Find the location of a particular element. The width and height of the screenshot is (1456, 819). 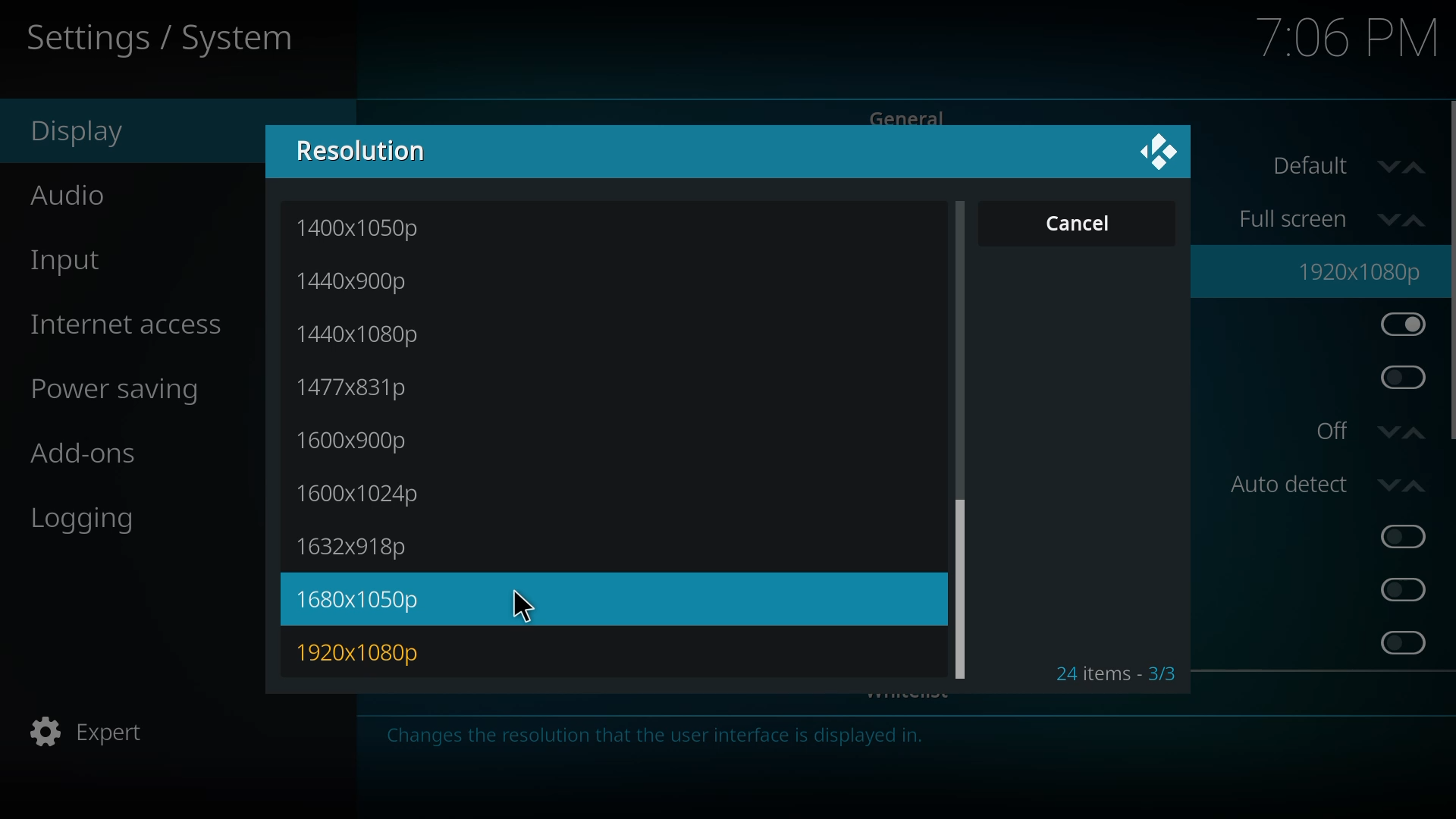

24 items is located at coordinates (1112, 673).